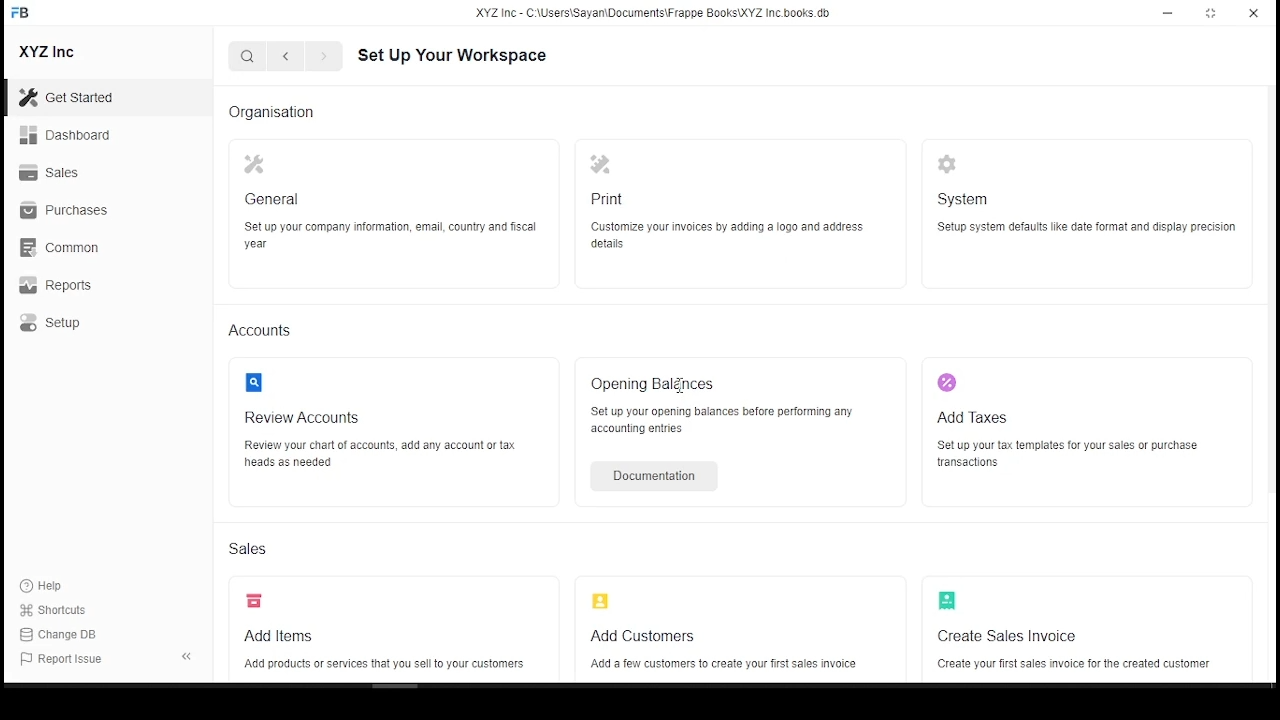  What do you see at coordinates (974, 418) in the screenshot?
I see `add taxes` at bounding box center [974, 418].